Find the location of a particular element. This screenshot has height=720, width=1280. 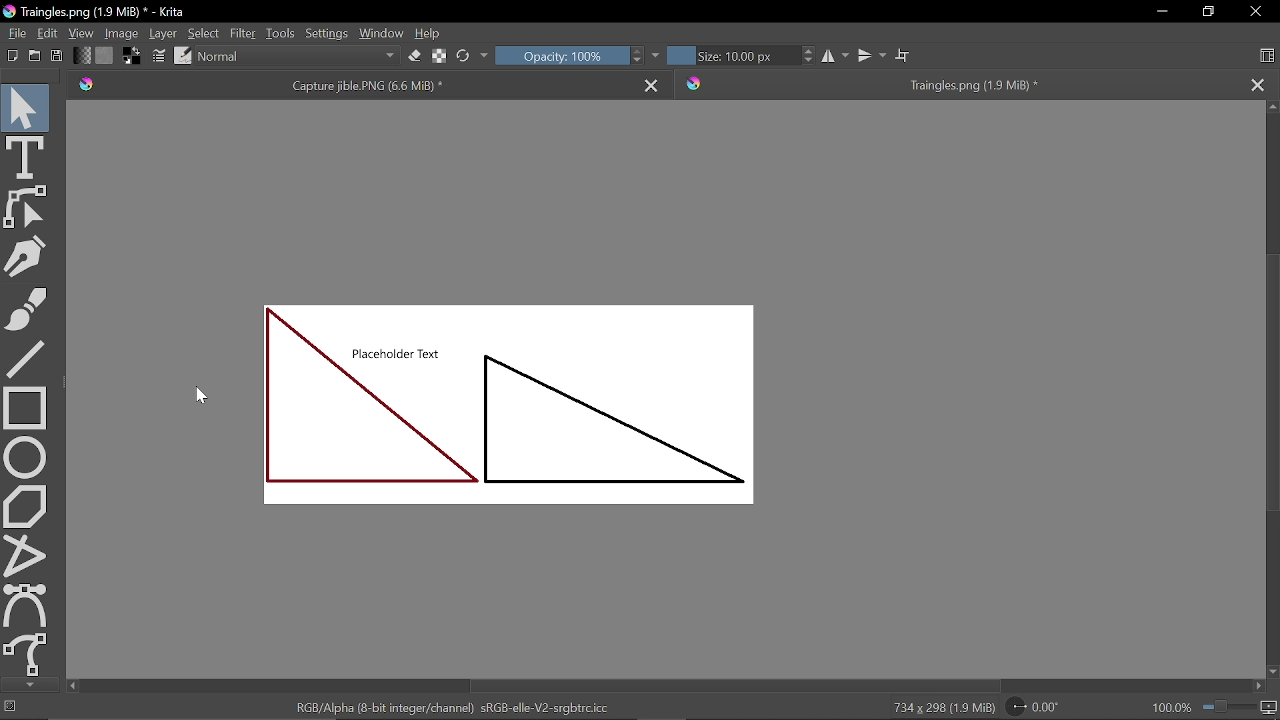

Zoom is located at coordinates (1240, 709).